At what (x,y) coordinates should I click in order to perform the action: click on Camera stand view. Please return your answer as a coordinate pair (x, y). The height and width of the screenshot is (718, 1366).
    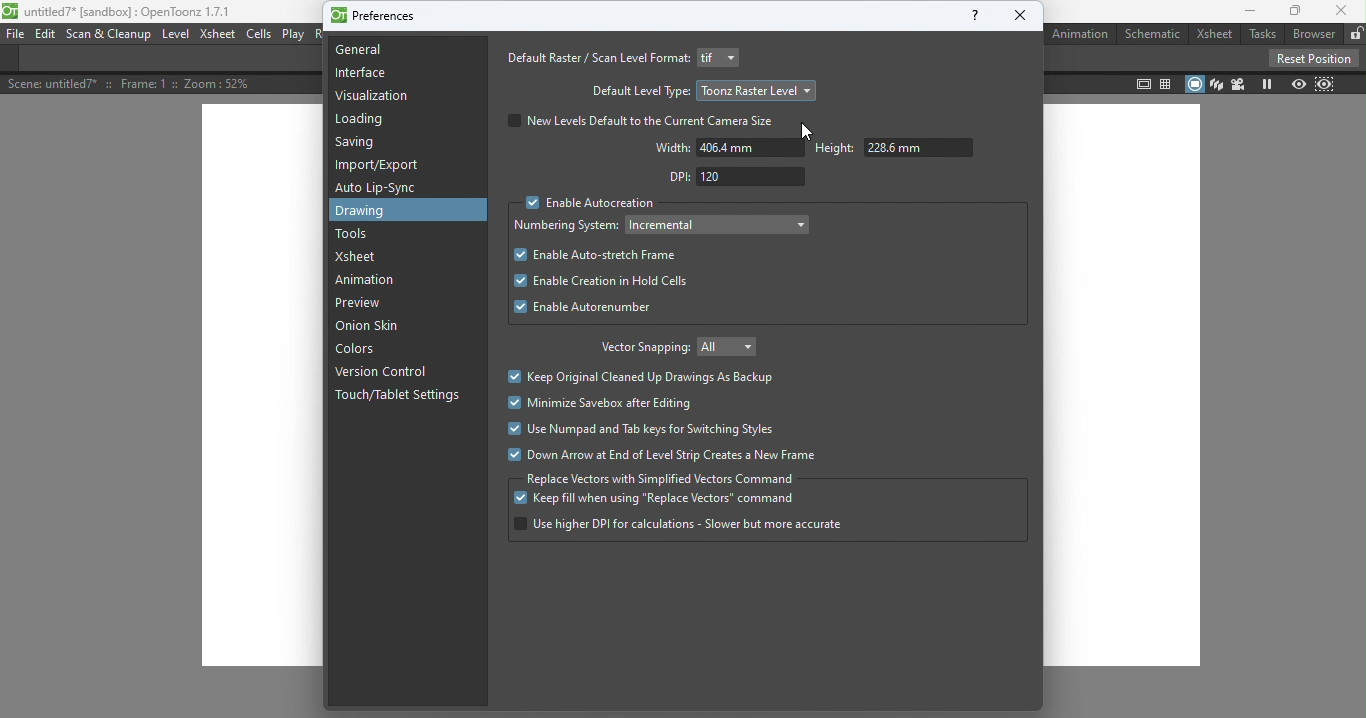
    Looking at the image, I should click on (1195, 84).